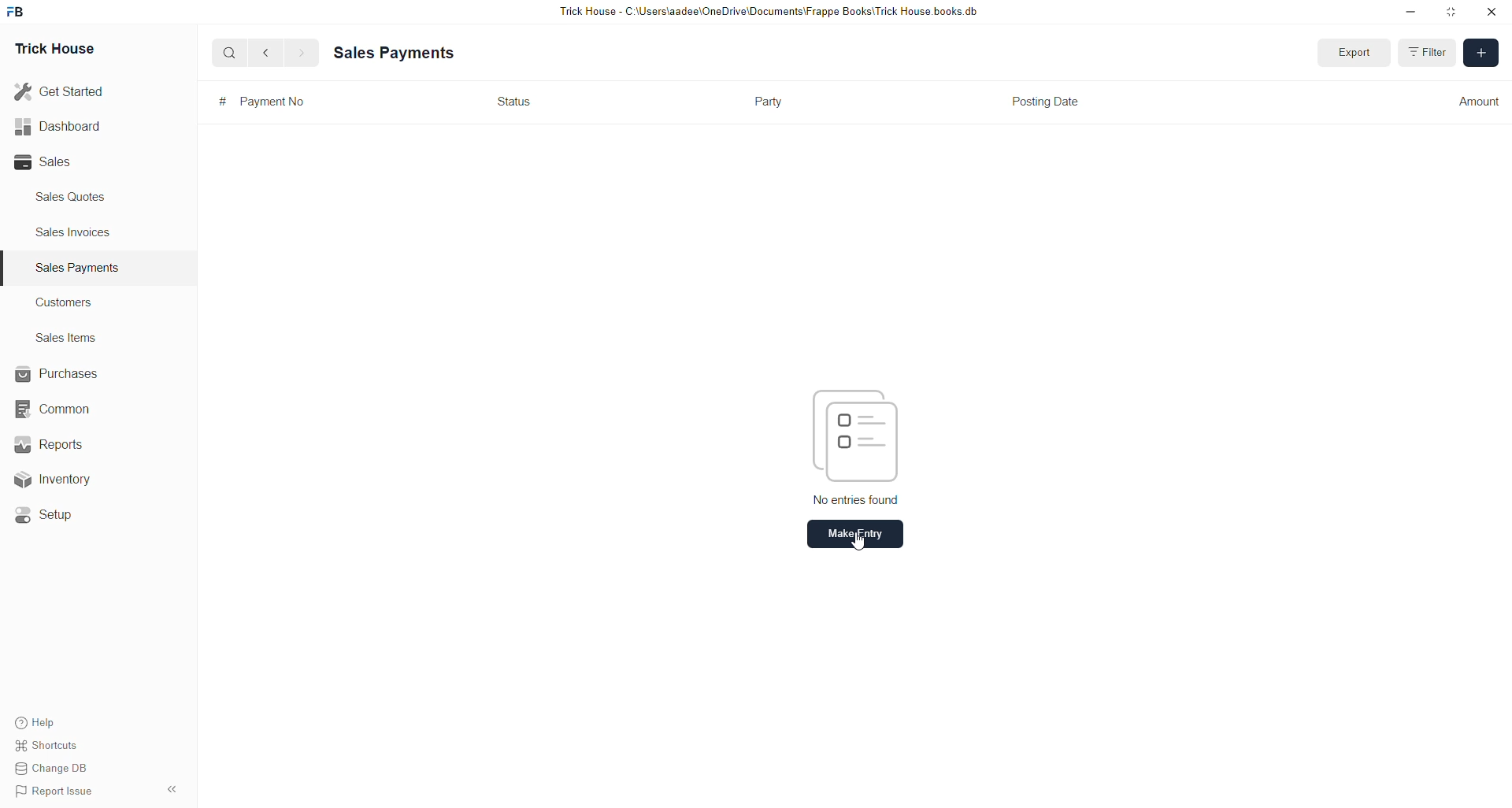 This screenshot has height=808, width=1512. What do you see at coordinates (854, 535) in the screenshot?
I see `Make Entry` at bounding box center [854, 535].